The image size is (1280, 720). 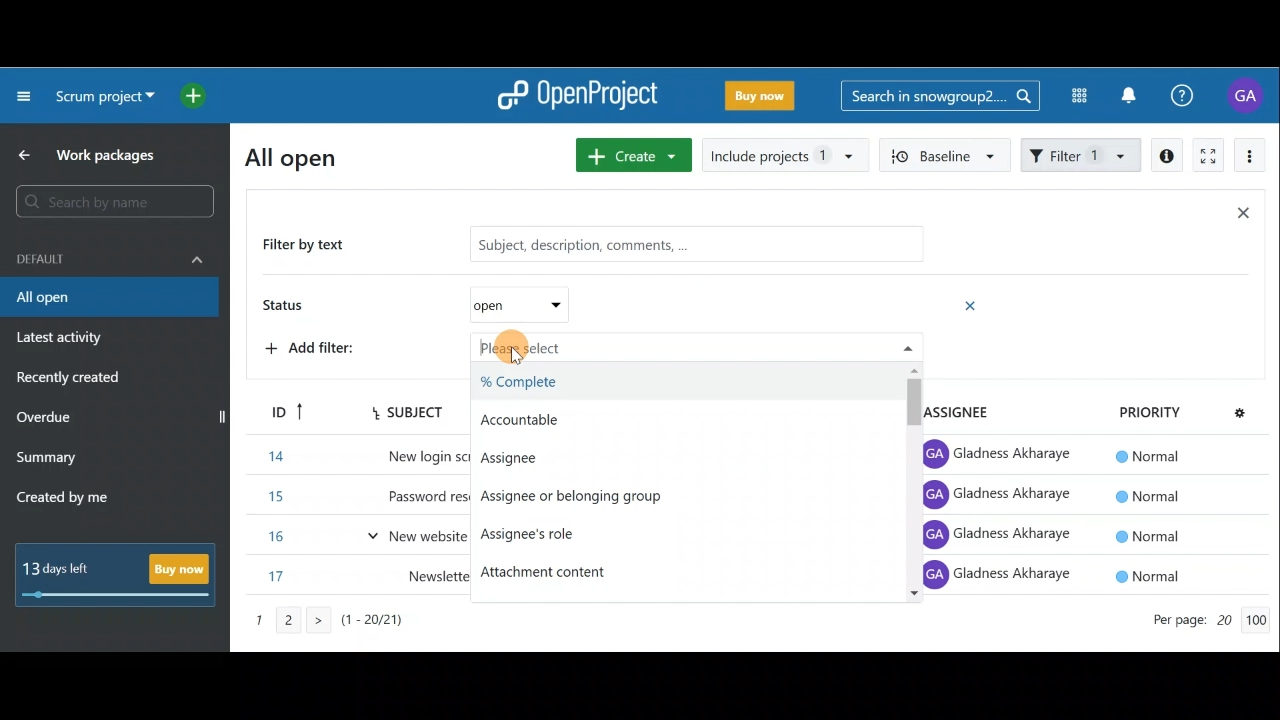 I want to click on More actions, so click(x=1250, y=159).